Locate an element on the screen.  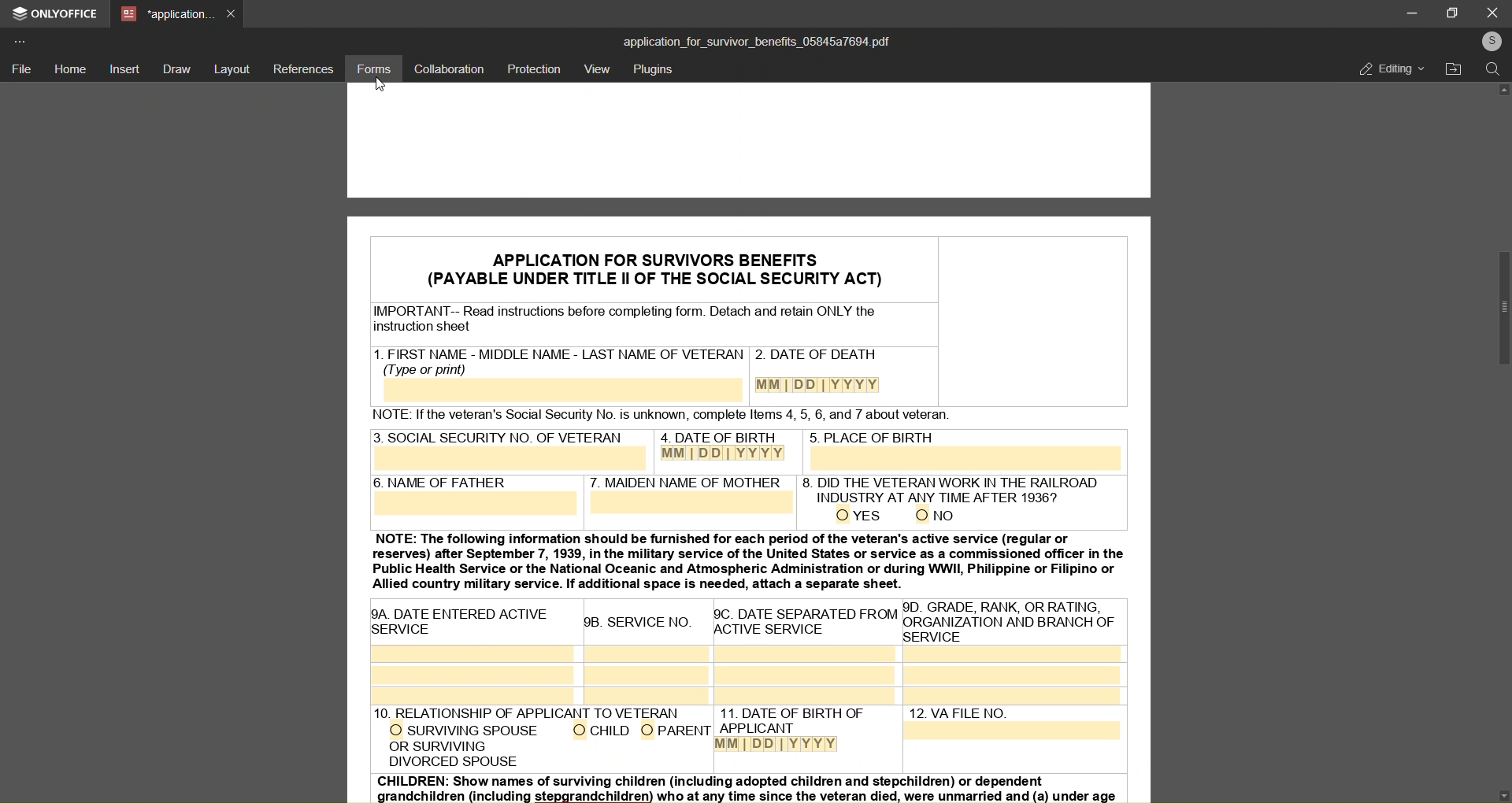
draw is located at coordinates (176, 68).